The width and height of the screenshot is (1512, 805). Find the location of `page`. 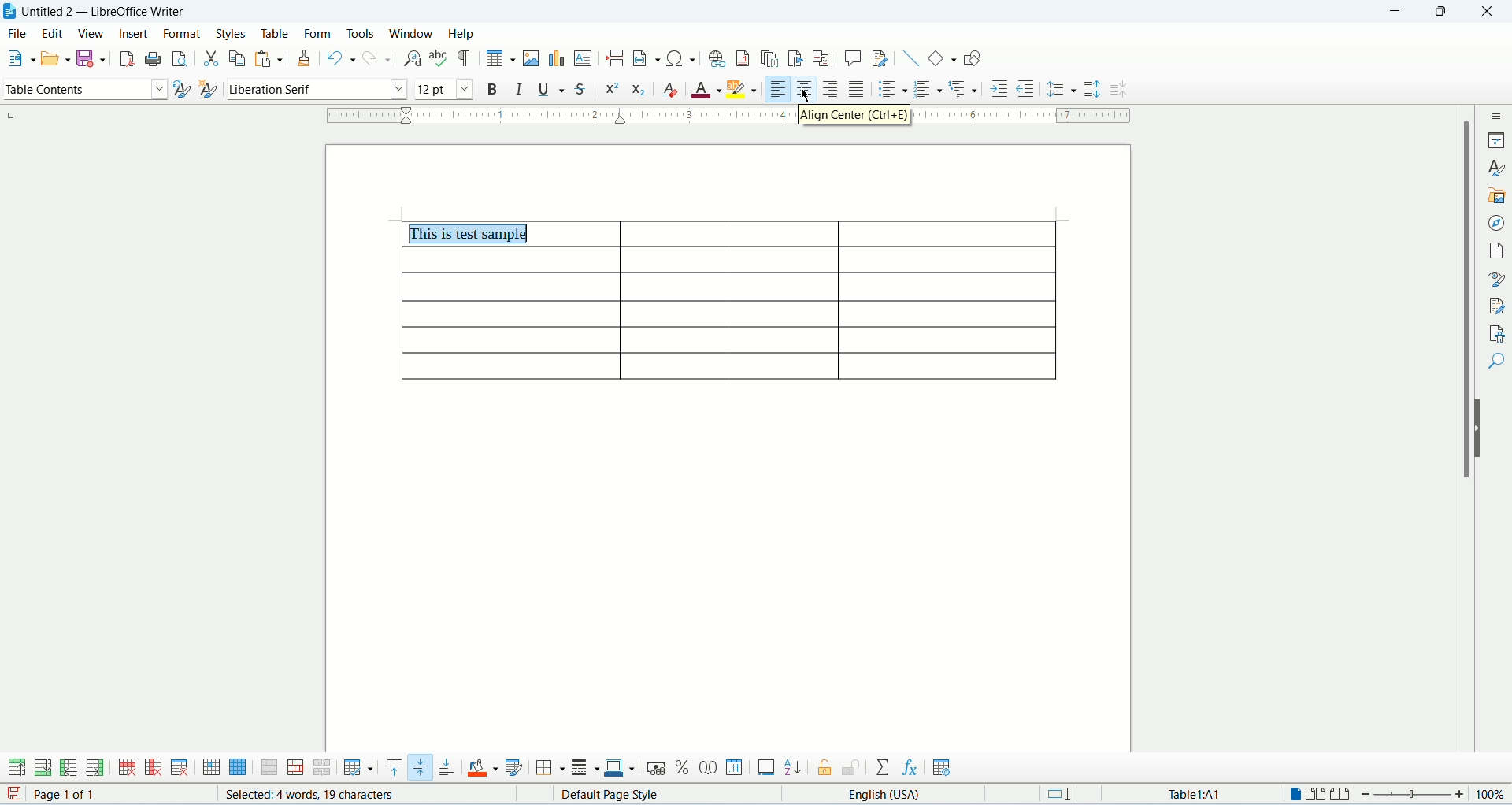

page is located at coordinates (1497, 247).